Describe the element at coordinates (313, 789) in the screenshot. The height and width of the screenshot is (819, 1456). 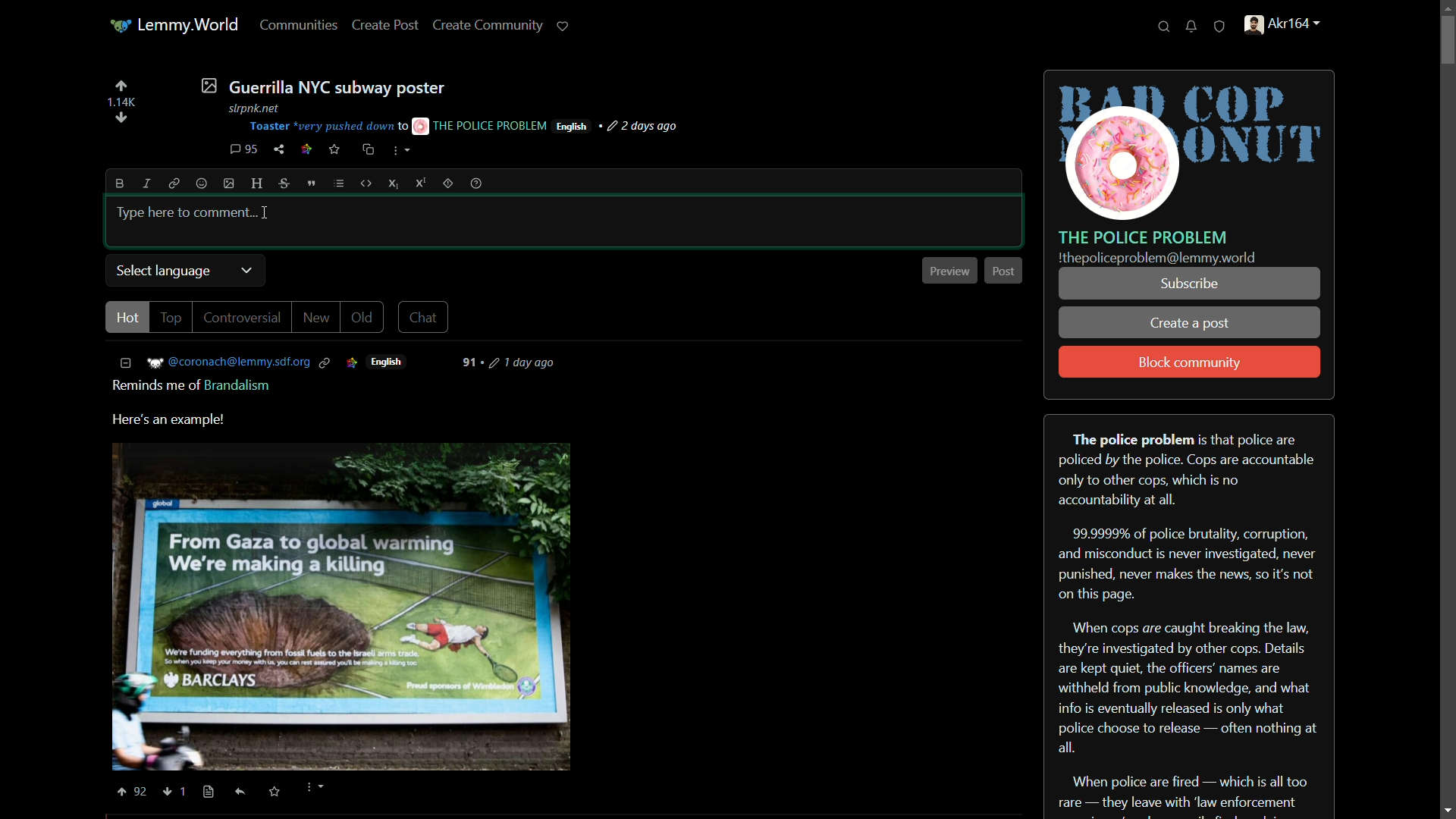
I see `more options` at that location.